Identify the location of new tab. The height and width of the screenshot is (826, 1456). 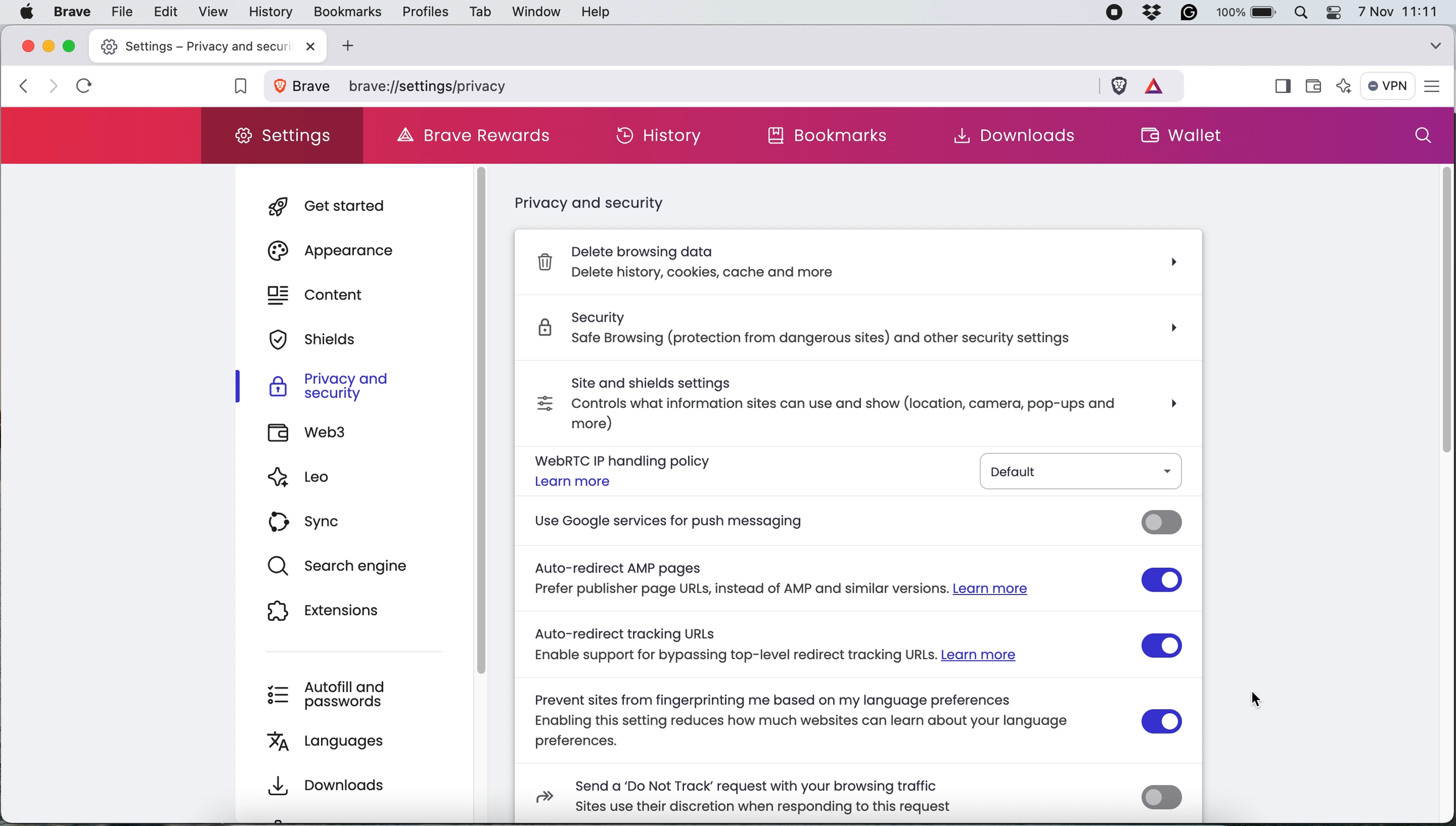
(188, 45).